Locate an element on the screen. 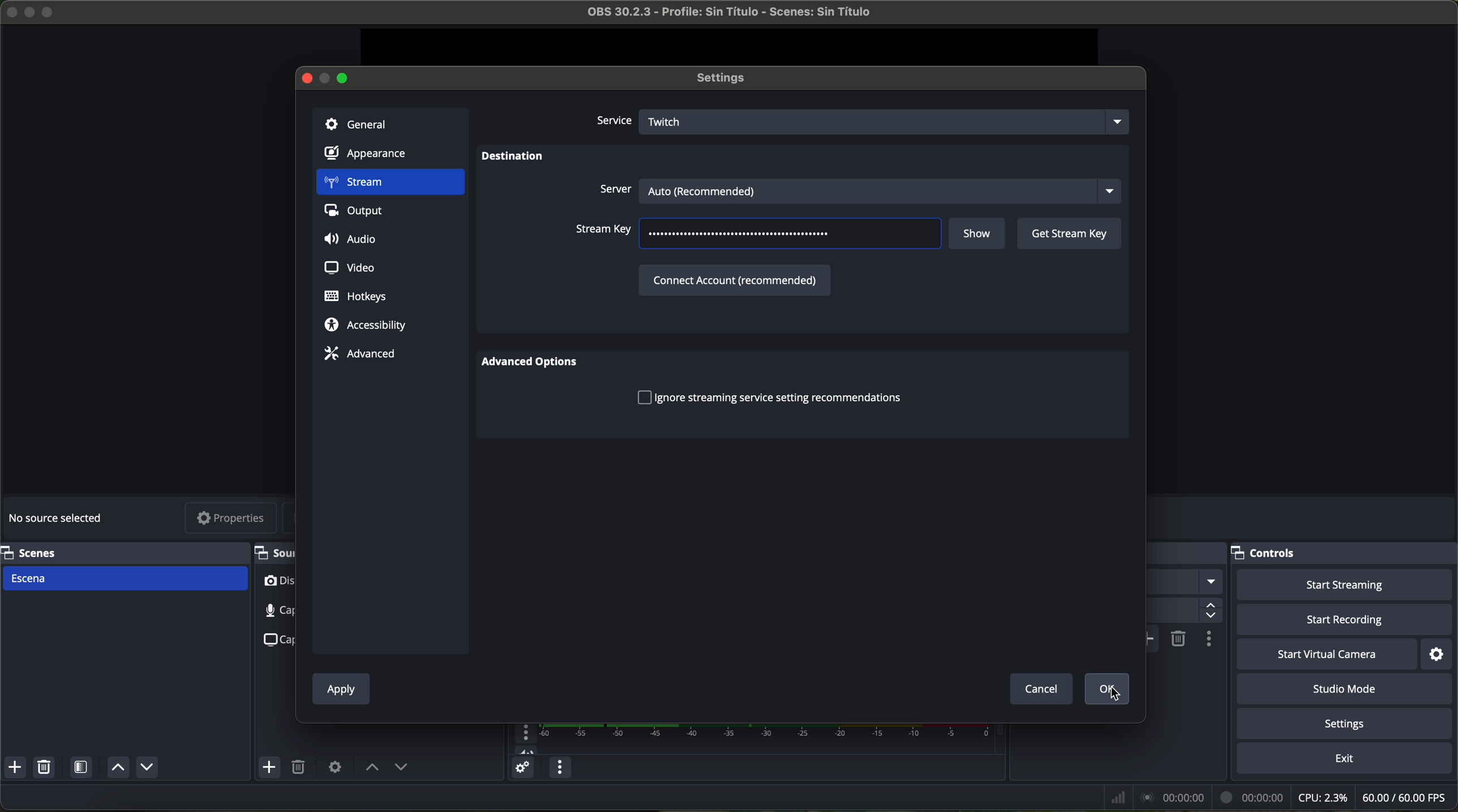 Image resolution: width=1458 pixels, height=812 pixels. connect account is located at coordinates (732, 279).